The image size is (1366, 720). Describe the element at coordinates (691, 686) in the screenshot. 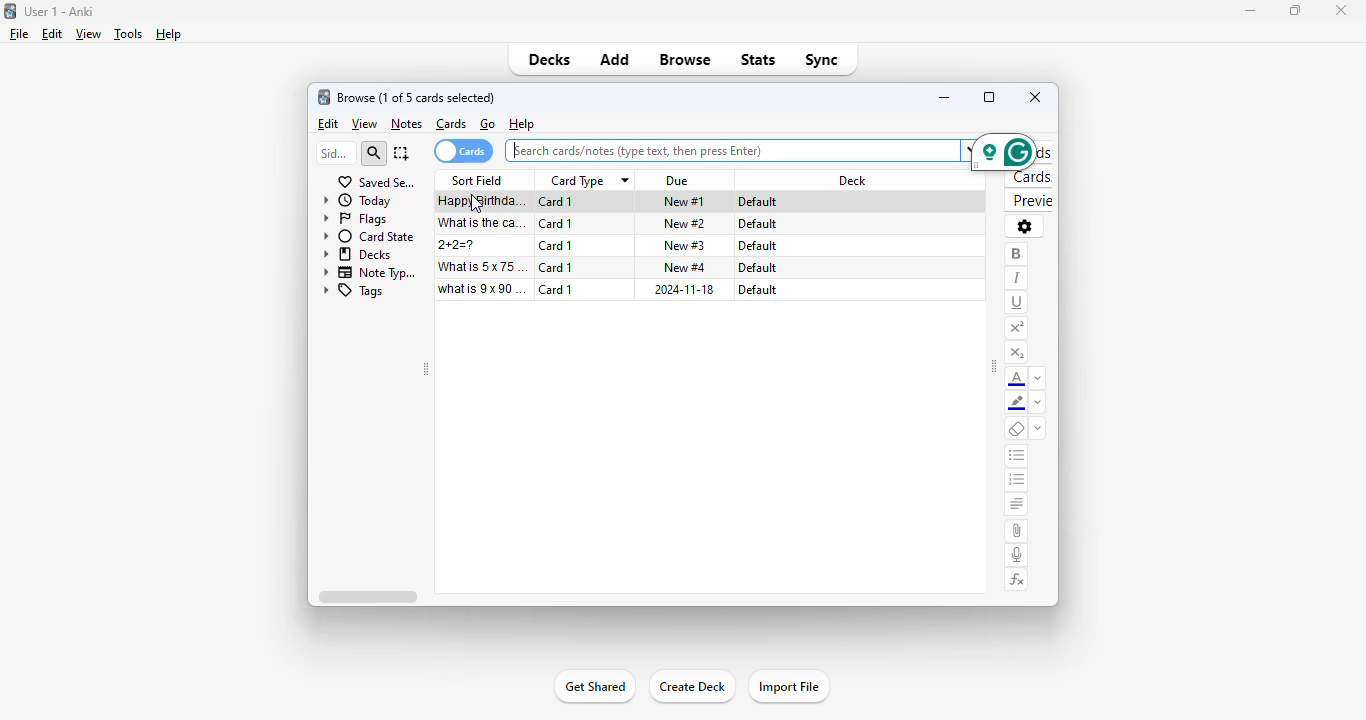

I see `create deck` at that location.